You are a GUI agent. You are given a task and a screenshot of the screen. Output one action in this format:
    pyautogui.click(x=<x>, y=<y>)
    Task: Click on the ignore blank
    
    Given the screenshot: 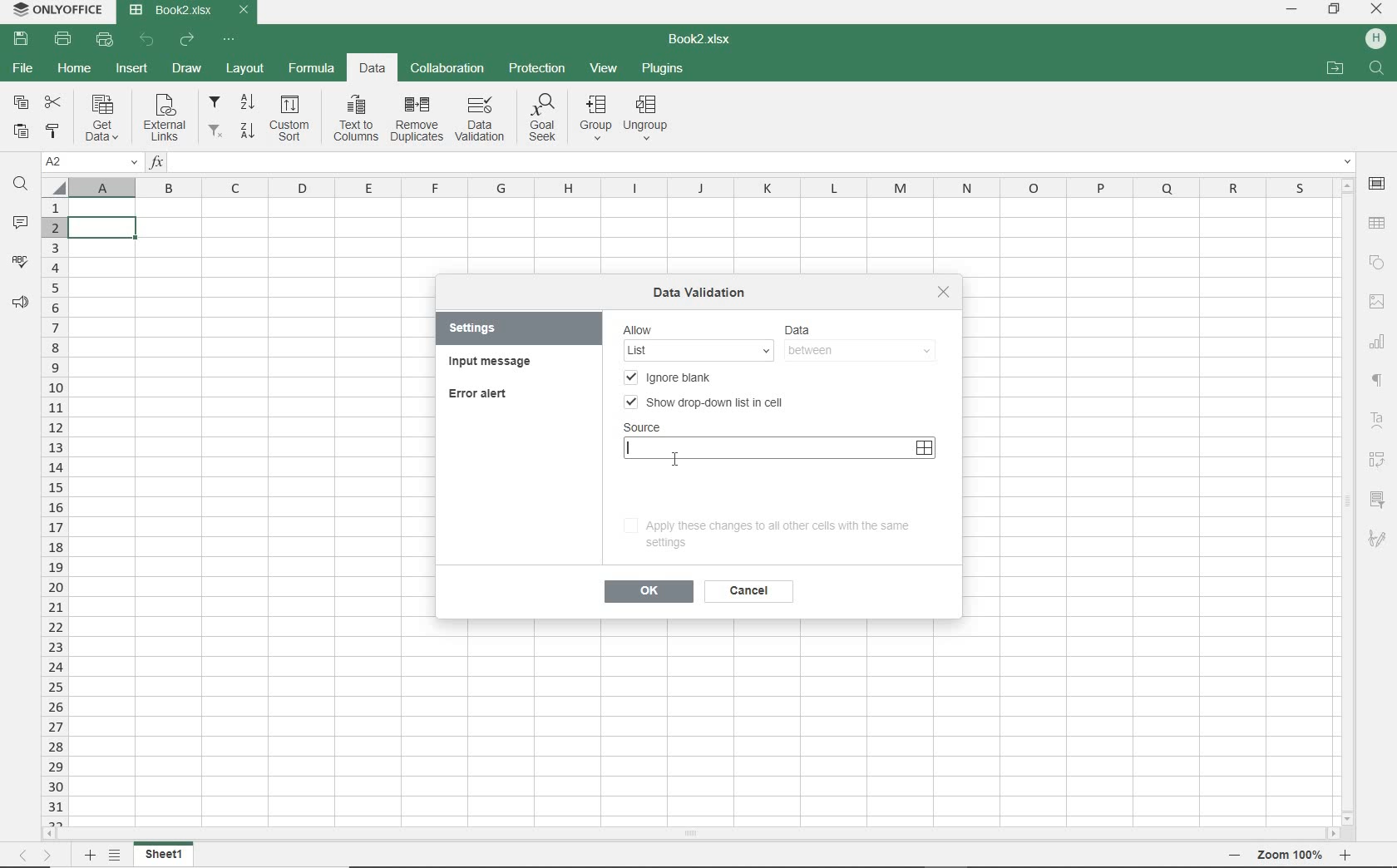 What is the action you would take?
    pyautogui.click(x=674, y=379)
    